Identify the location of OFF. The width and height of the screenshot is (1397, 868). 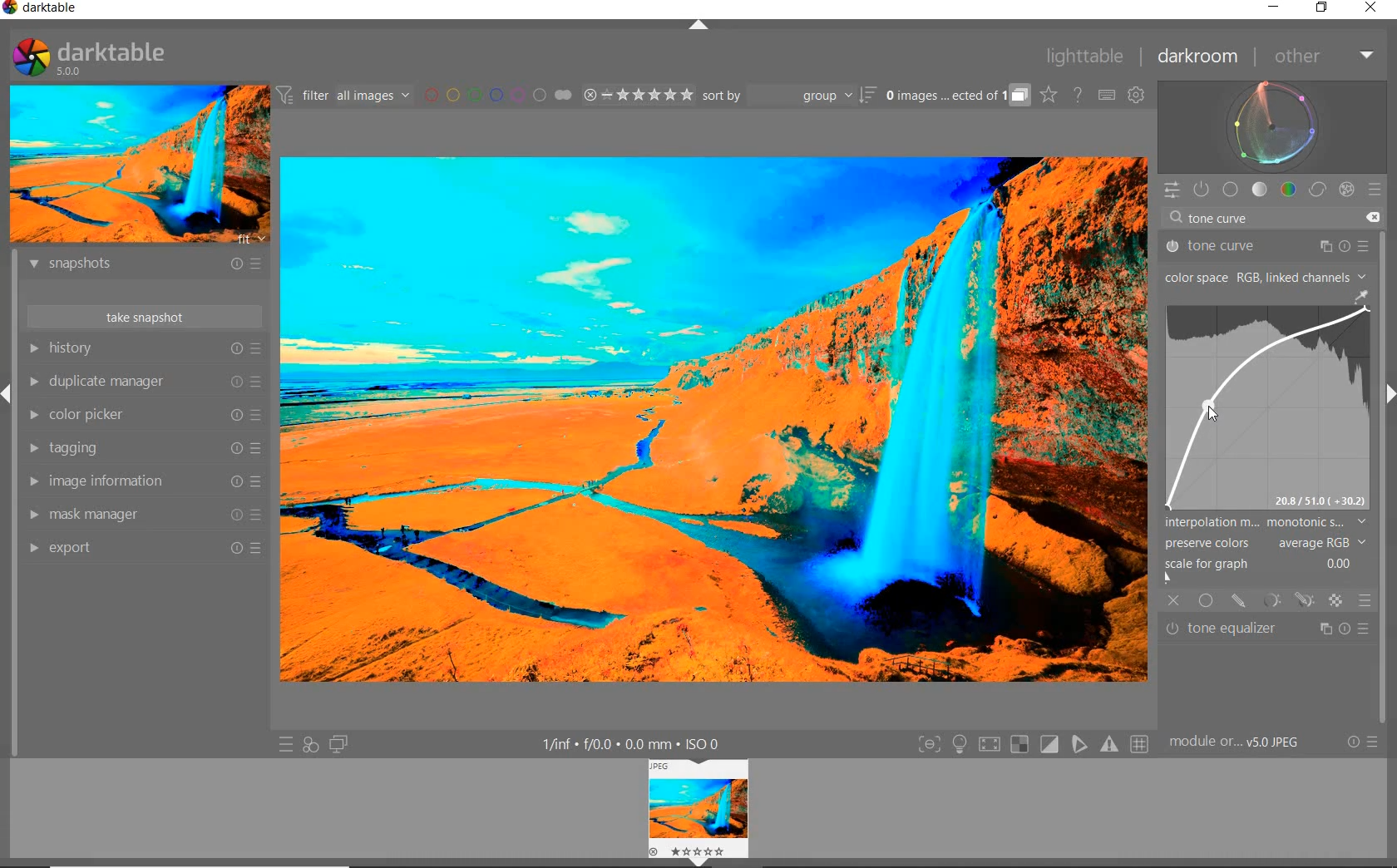
(1173, 601).